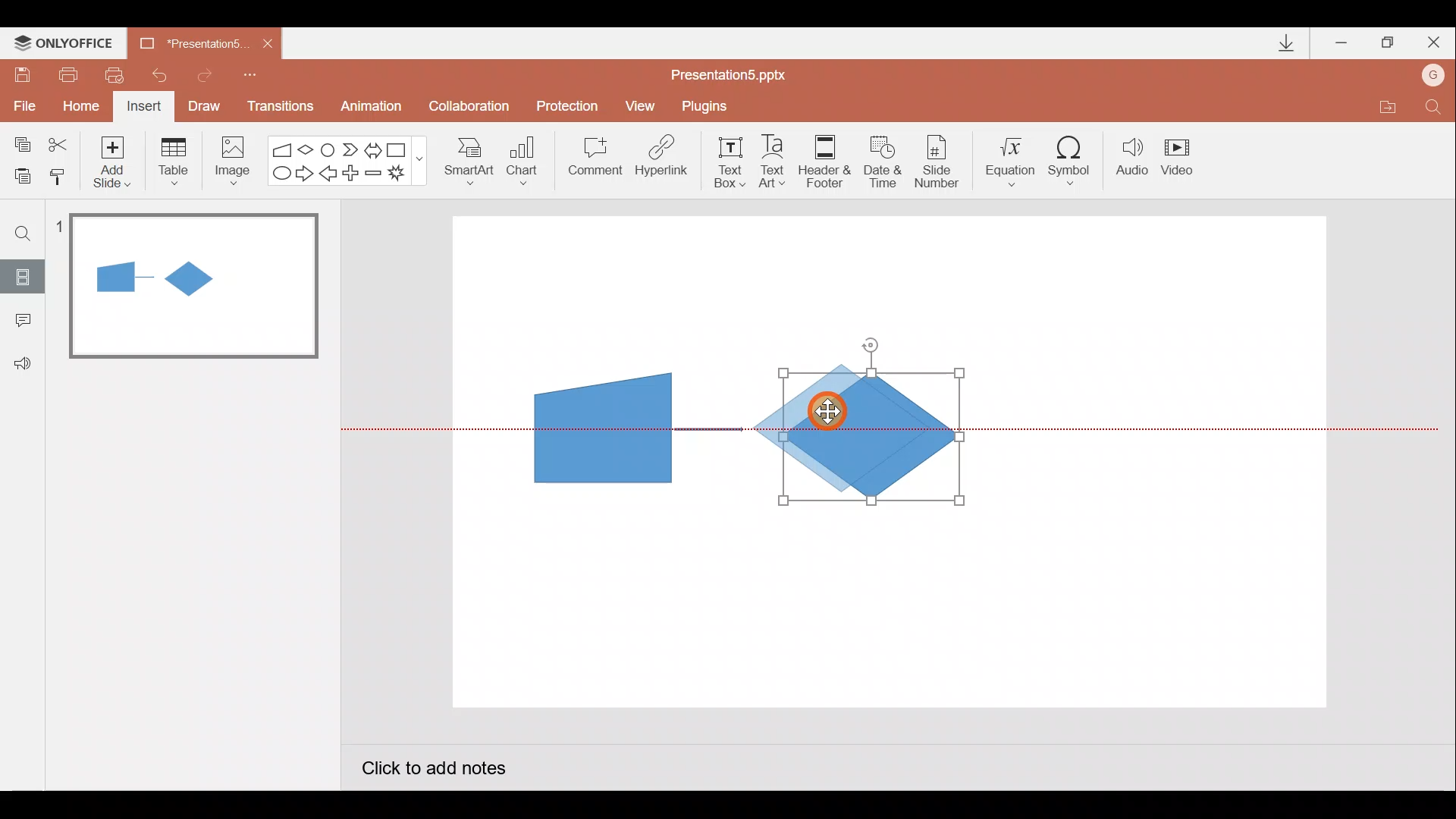 Image resolution: width=1456 pixels, height=819 pixels. I want to click on Comment, so click(593, 162).